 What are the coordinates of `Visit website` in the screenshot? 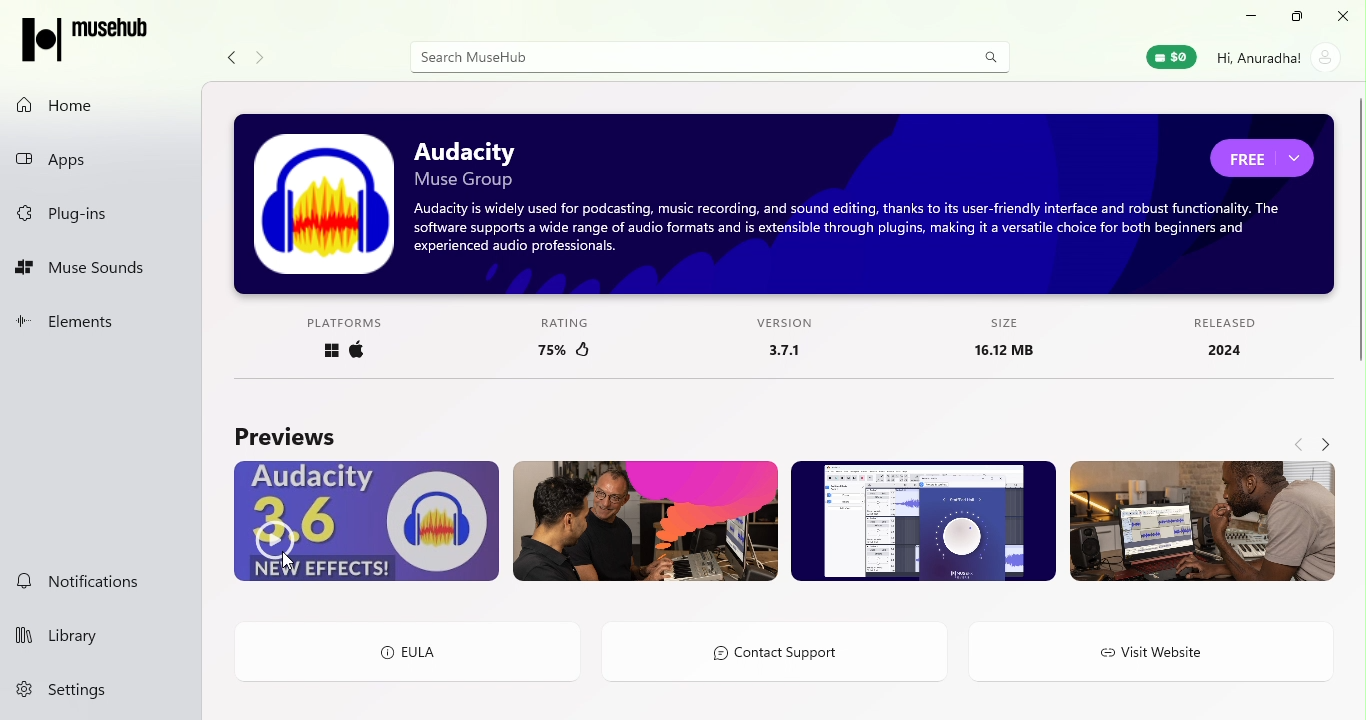 It's located at (1157, 656).